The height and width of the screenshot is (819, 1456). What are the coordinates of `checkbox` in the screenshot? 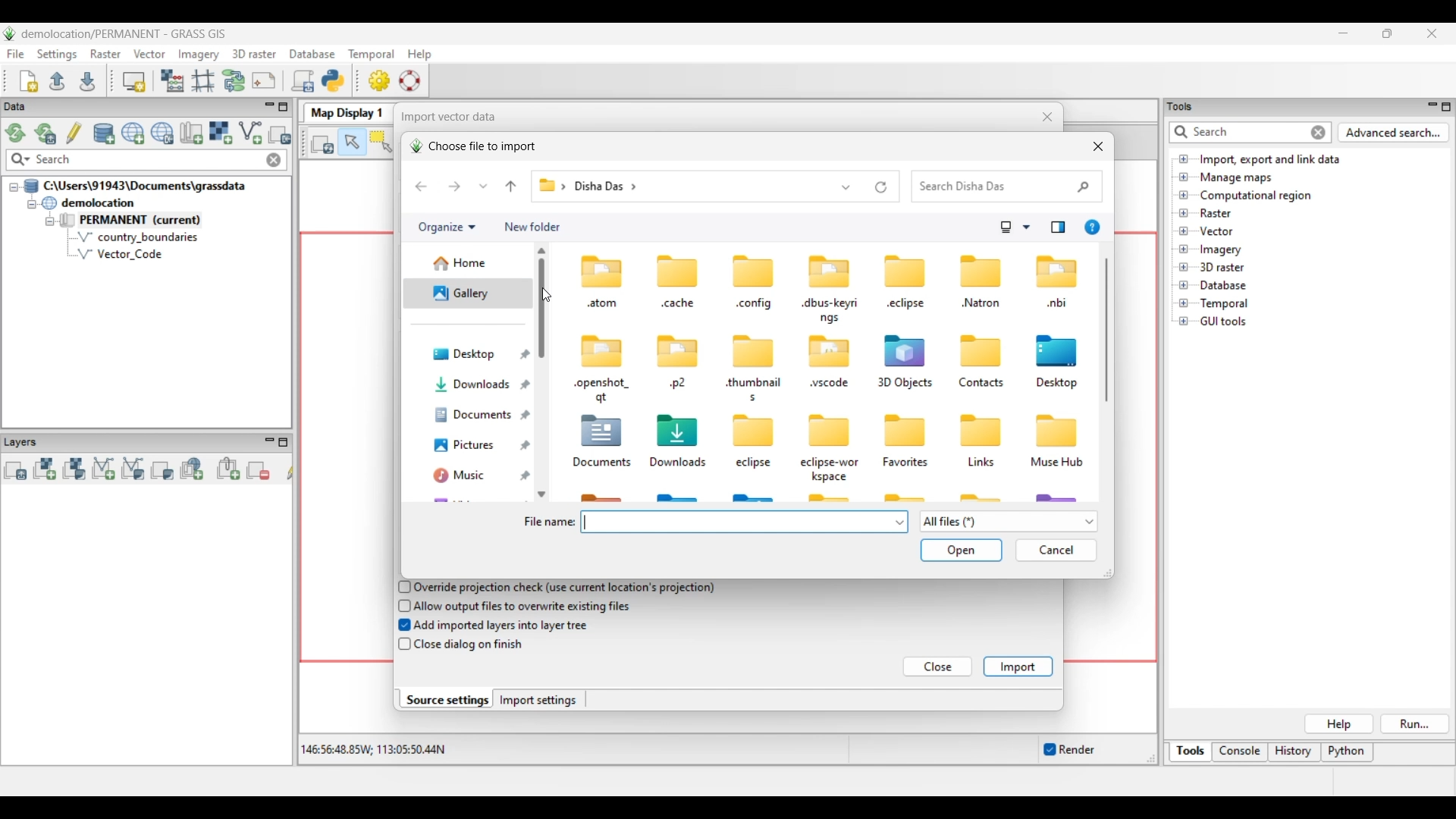 It's located at (401, 605).